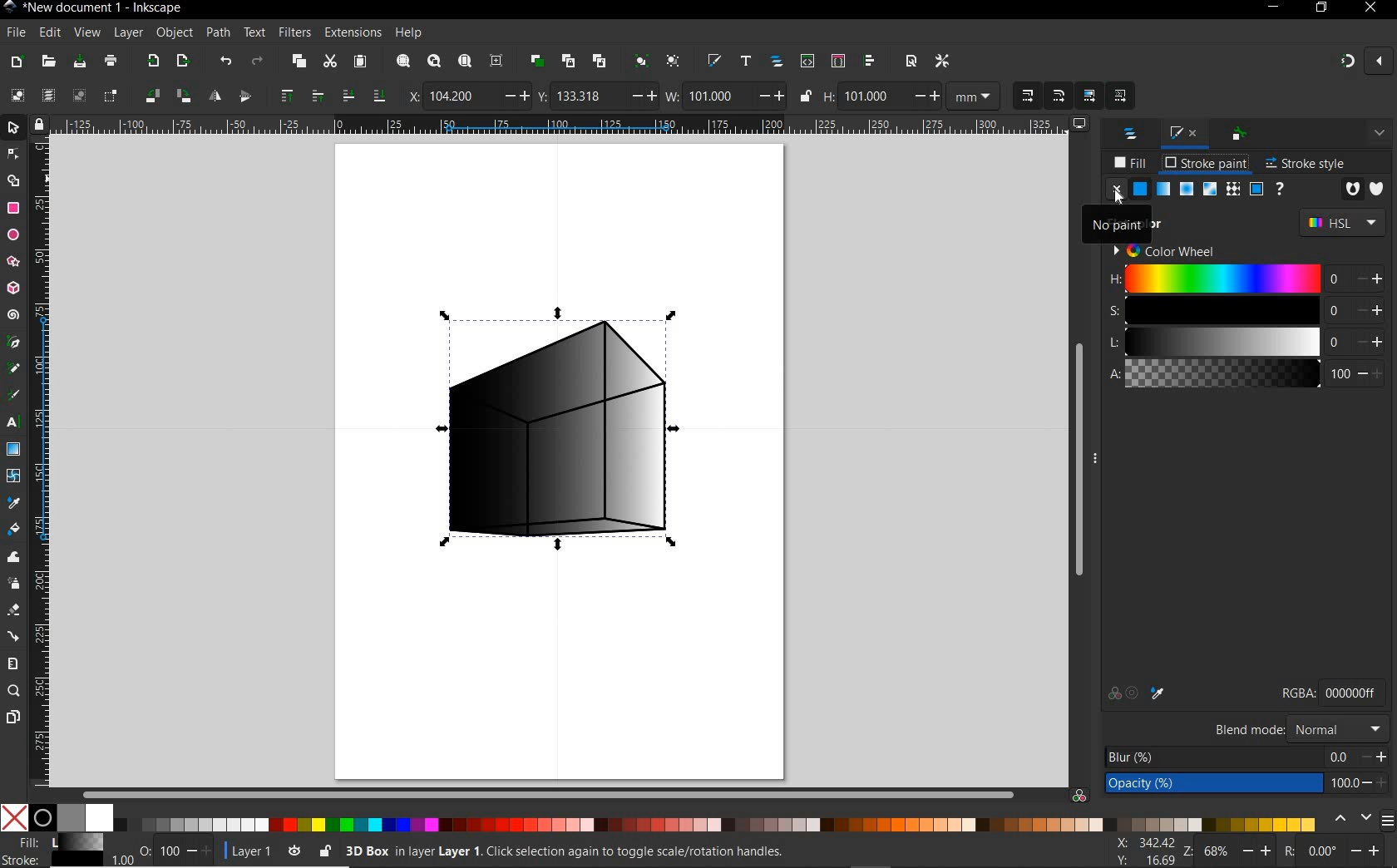 The width and height of the screenshot is (1397, 868). Describe the element at coordinates (13, 663) in the screenshot. I see `MEASURE TOOL` at that location.